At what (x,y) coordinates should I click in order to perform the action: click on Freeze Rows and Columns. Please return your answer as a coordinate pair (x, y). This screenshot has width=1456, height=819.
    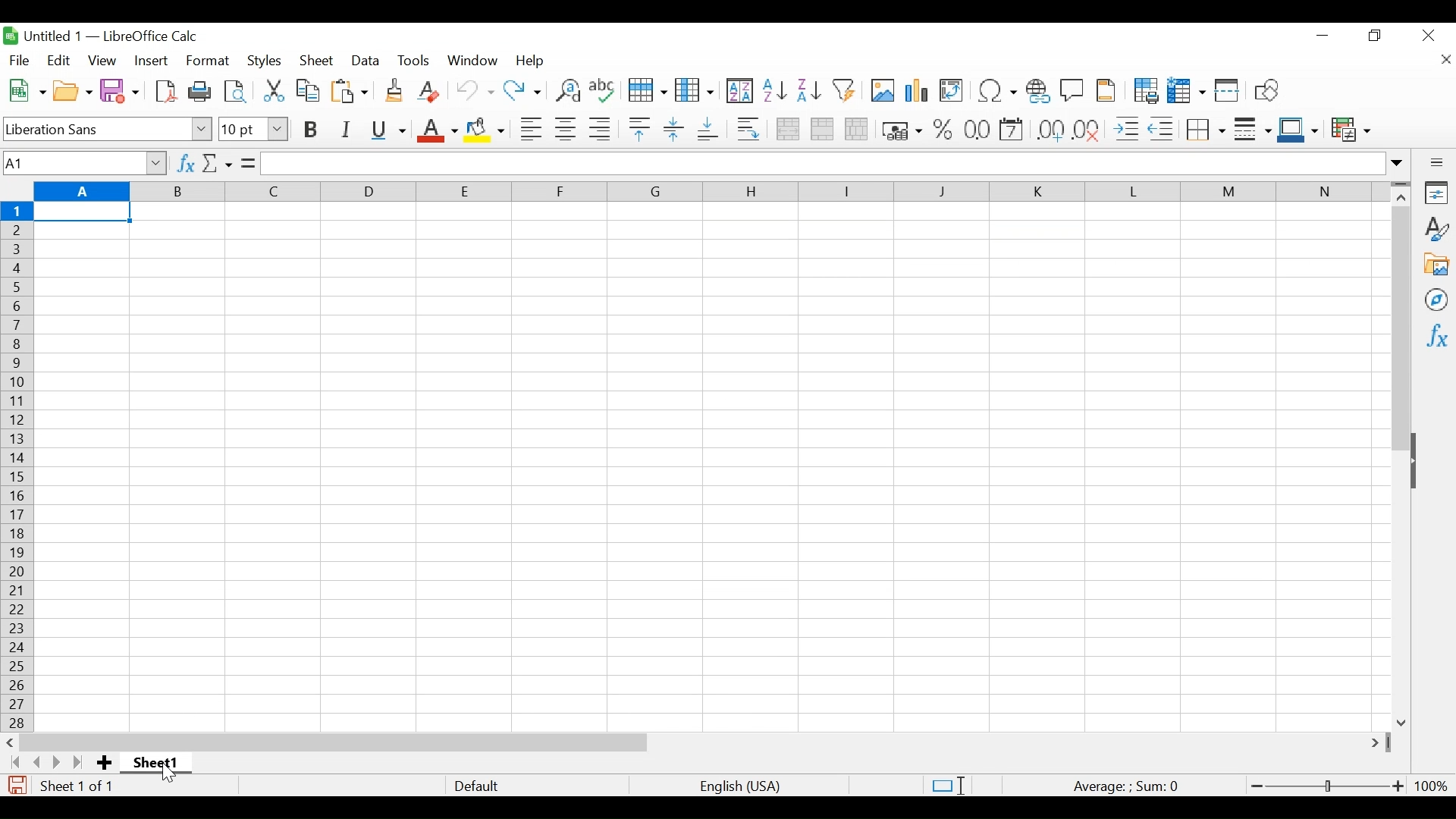
    Looking at the image, I should click on (1186, 90).